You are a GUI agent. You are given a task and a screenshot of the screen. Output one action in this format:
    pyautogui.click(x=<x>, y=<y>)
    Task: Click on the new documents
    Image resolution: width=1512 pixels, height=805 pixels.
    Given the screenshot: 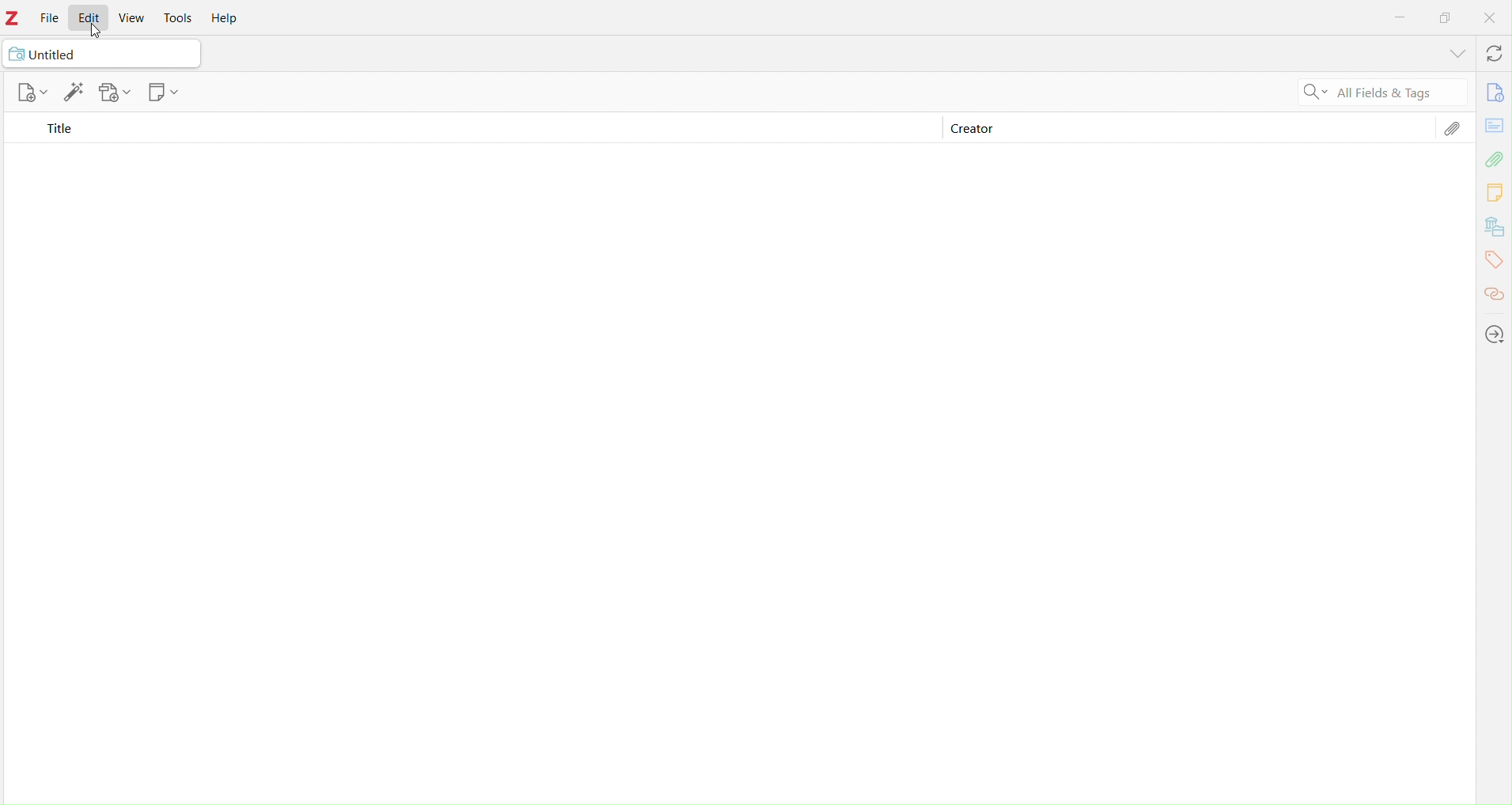 What is the action you would take?
    pyautogui.click(x=31, y=93)
    